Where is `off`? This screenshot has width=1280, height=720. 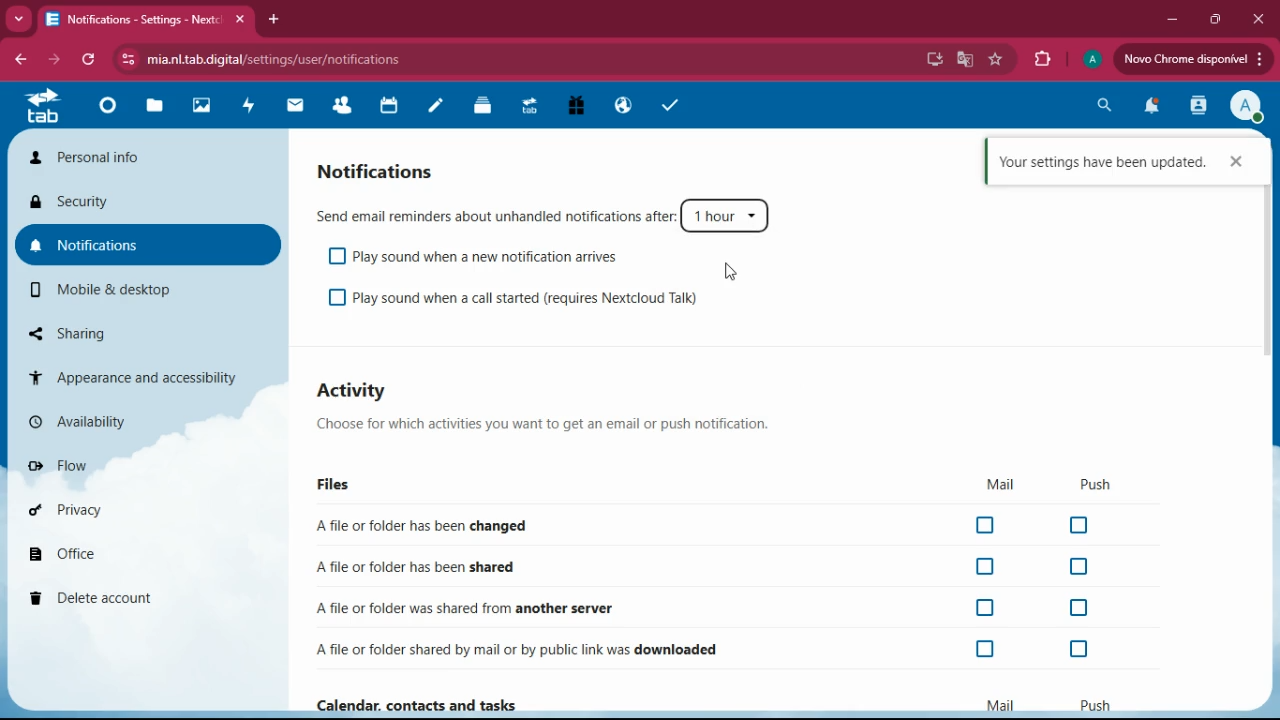
off is located at coordinates (338, 296).